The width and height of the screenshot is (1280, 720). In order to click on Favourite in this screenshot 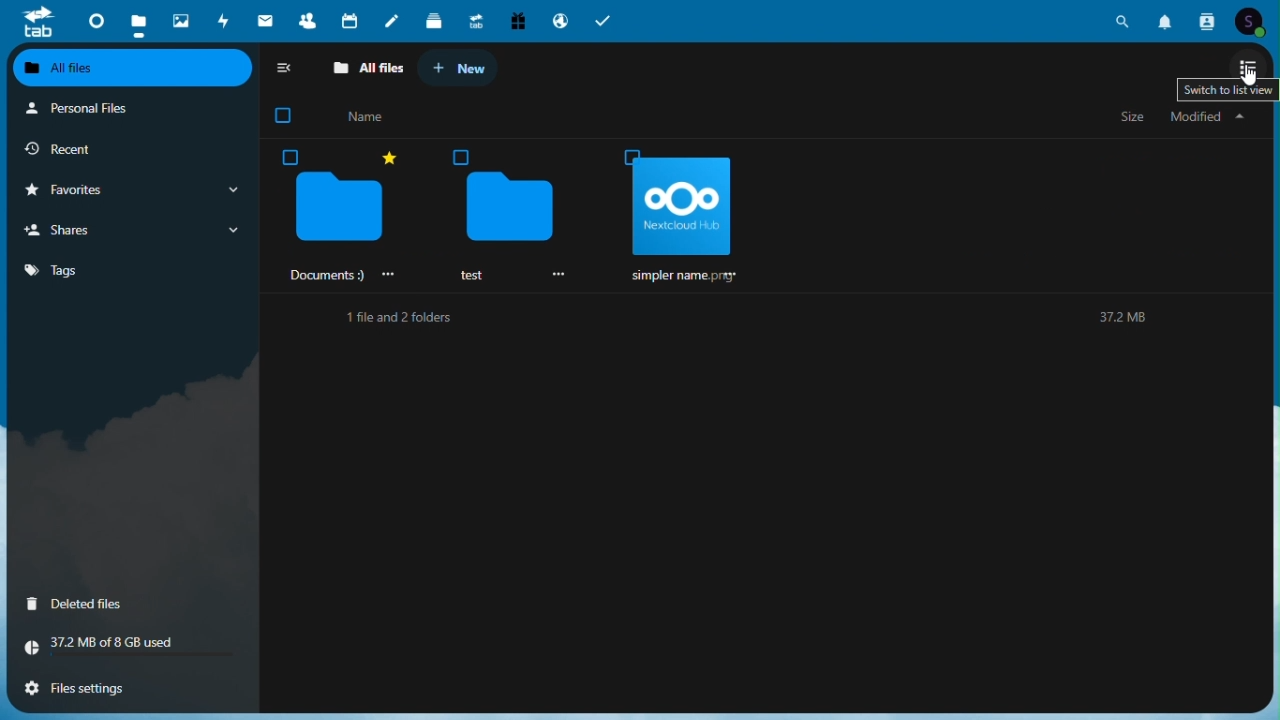, I will do `click(134, 190)`.